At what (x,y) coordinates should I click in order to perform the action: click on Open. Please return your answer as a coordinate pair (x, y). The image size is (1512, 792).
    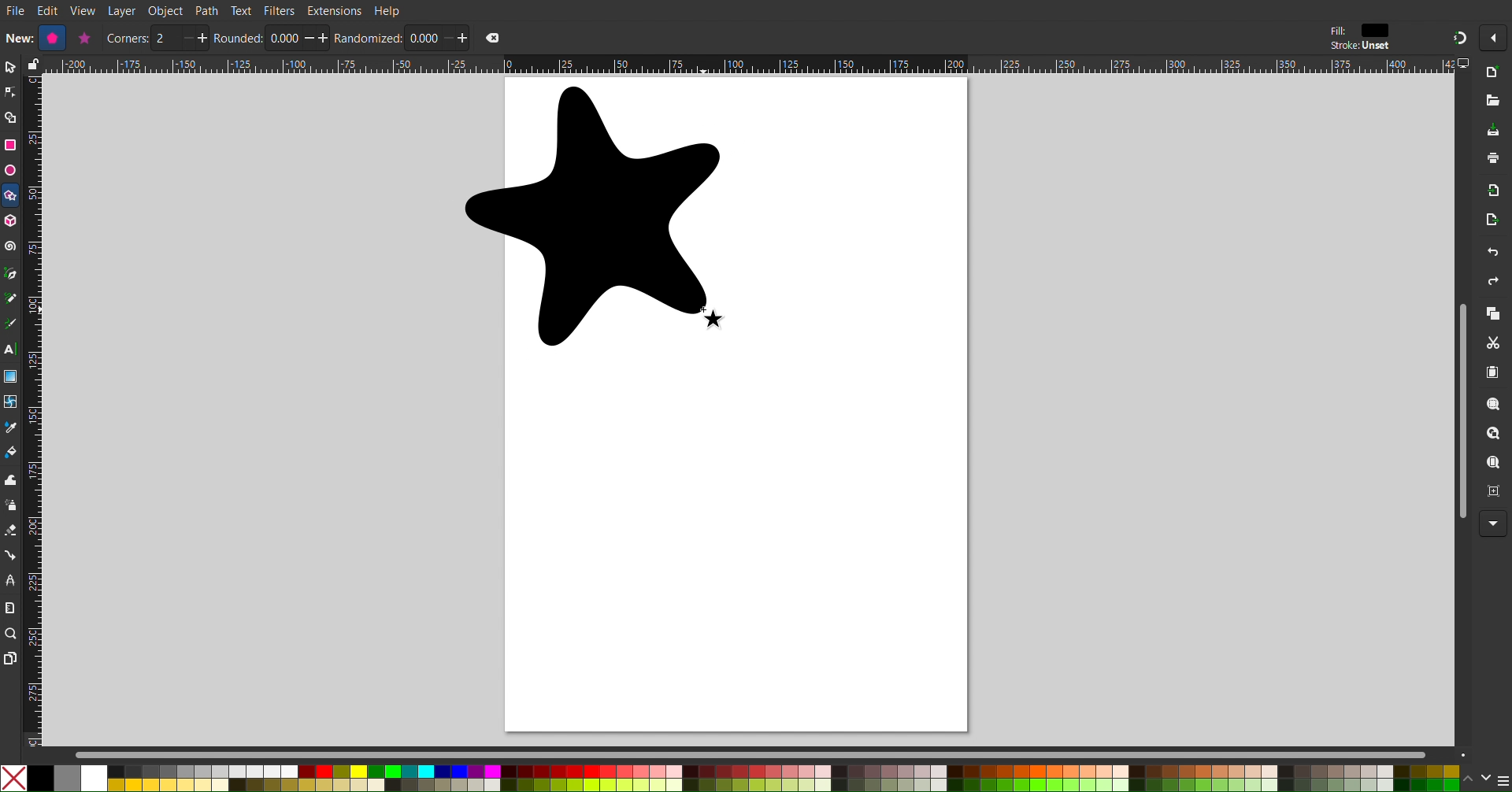
    Looking at the image, I should click on (1494, 102).